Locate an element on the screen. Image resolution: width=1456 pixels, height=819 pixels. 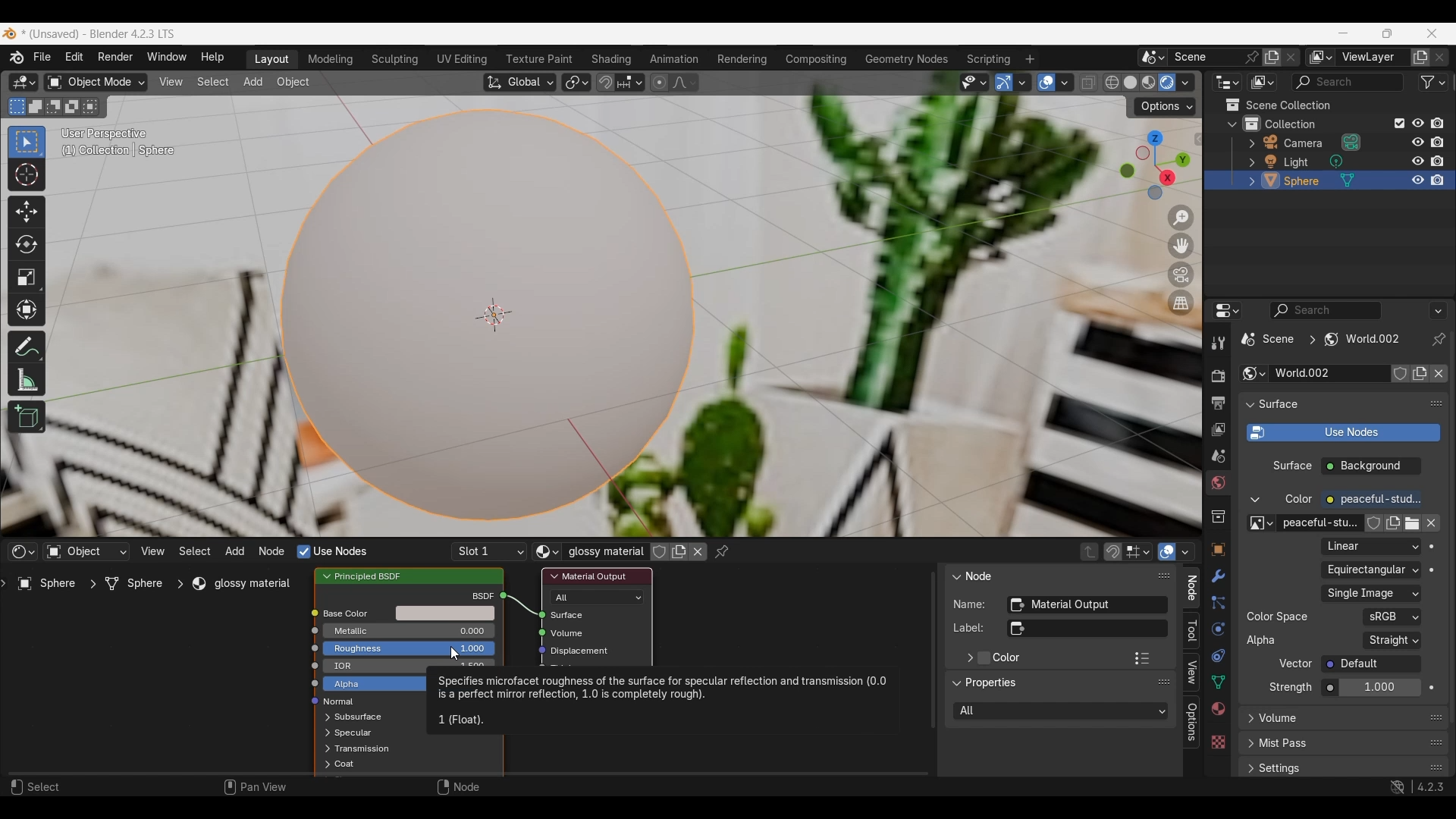
Layout workspace is located at coordinates (271, 60).